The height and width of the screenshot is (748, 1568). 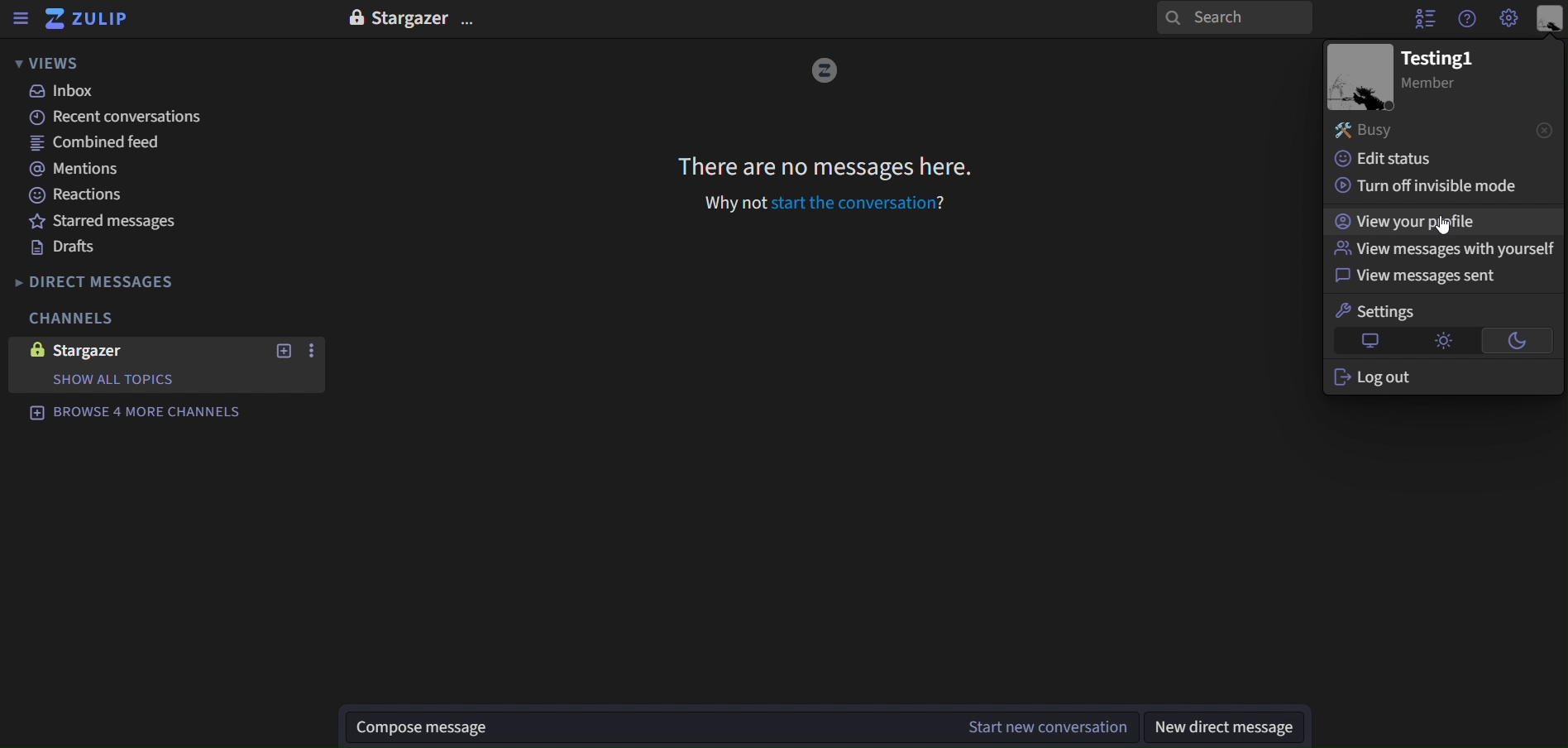 I want to click on search, so click(x=1238, y=21).